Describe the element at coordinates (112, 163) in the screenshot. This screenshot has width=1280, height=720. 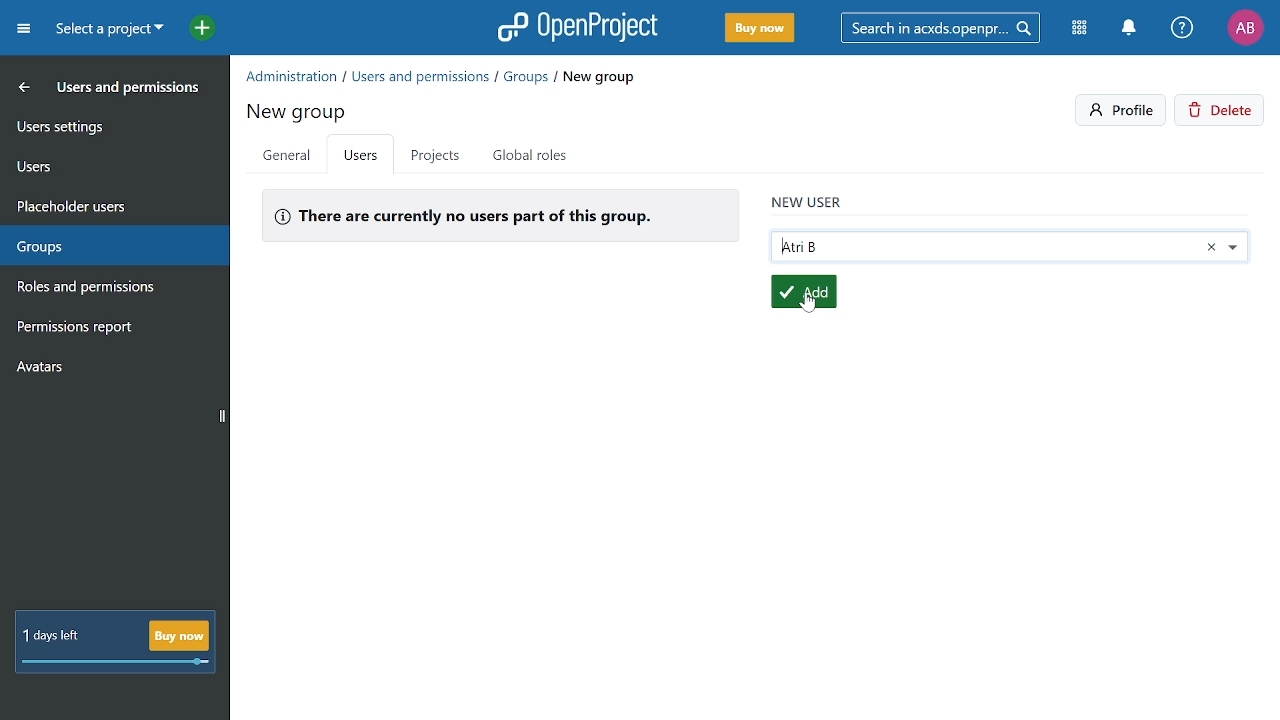
I see `Users` at that location.